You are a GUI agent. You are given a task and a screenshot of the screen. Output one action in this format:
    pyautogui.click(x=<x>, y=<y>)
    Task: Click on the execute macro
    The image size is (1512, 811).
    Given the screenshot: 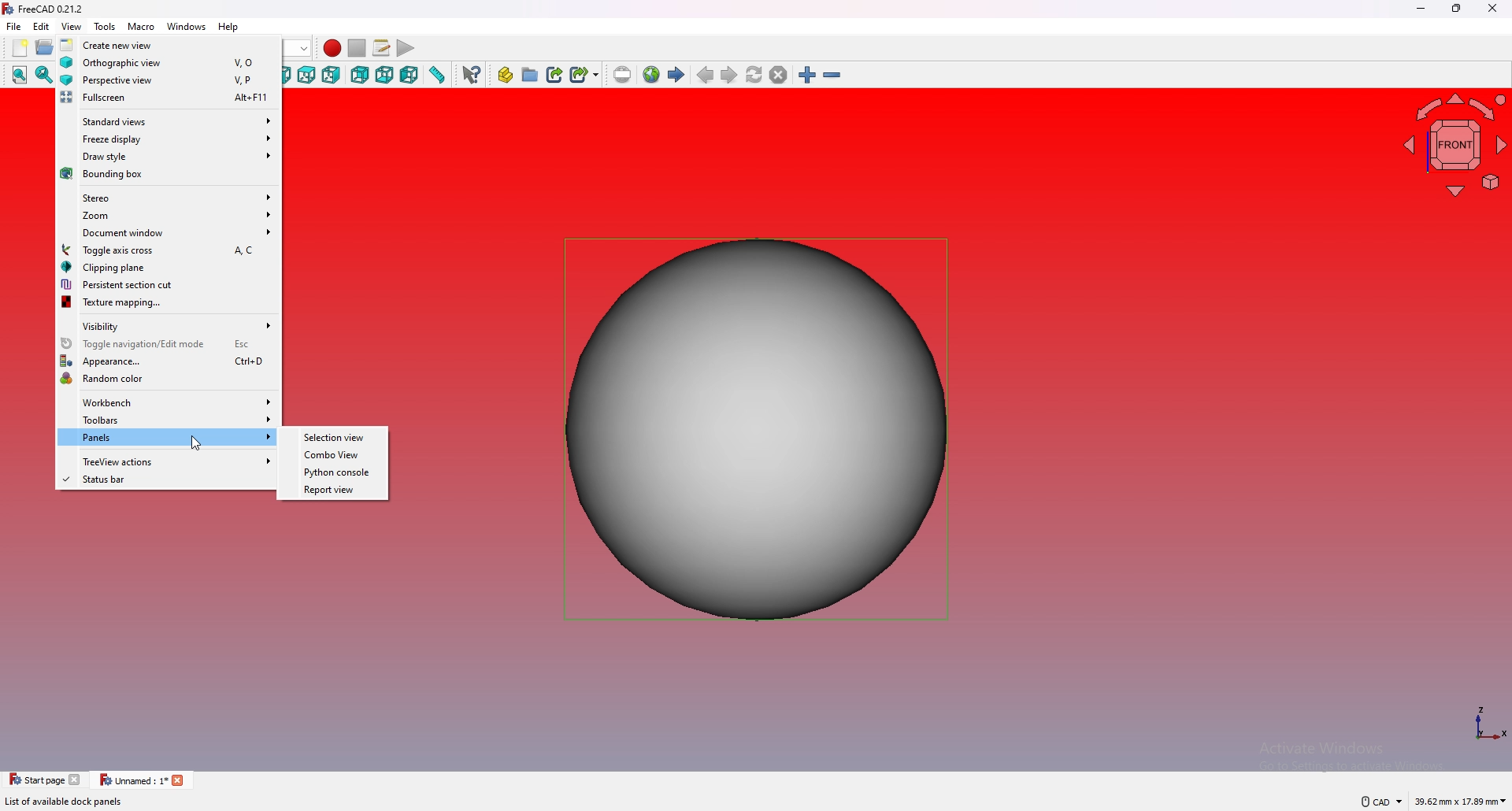 What is the action you would take?
    pyautogui.click(x=406, y=48)
    